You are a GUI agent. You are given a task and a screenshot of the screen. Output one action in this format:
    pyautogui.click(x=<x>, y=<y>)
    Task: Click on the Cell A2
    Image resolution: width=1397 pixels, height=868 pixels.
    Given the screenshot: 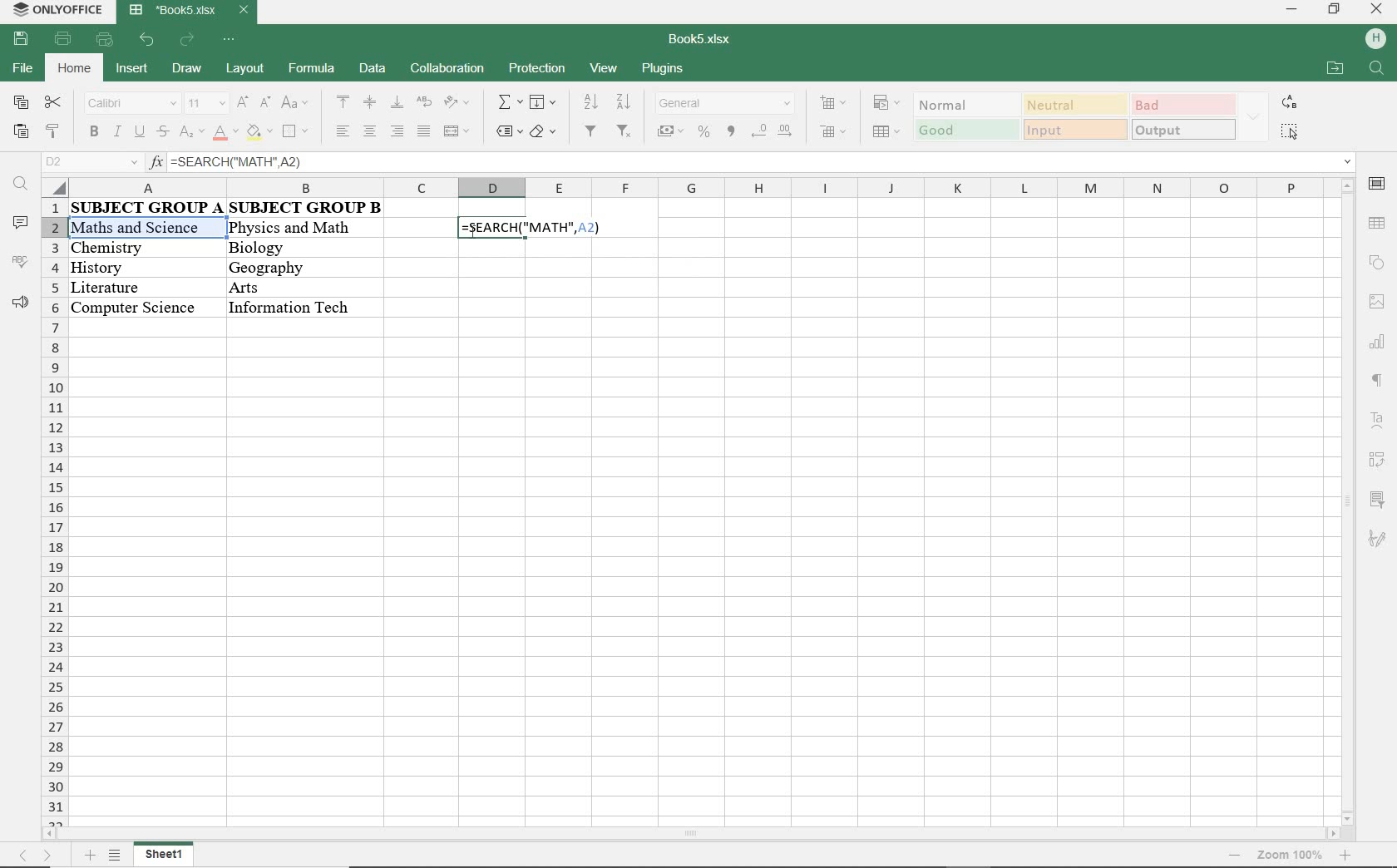 What is the action you would take?
    pyautogui.click(x=144, y=228)
    